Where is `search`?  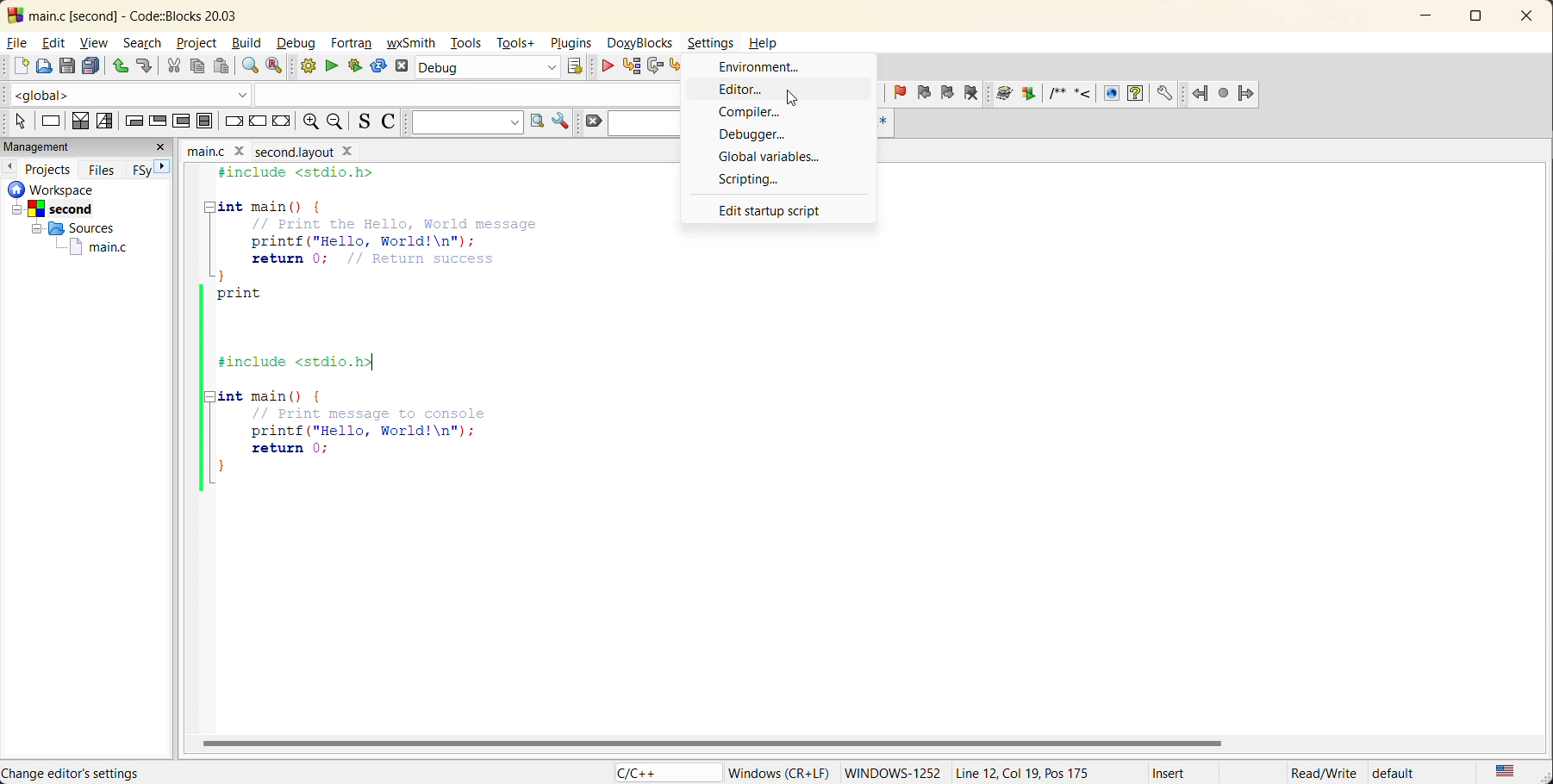
search is located at coordinates (146, 43).